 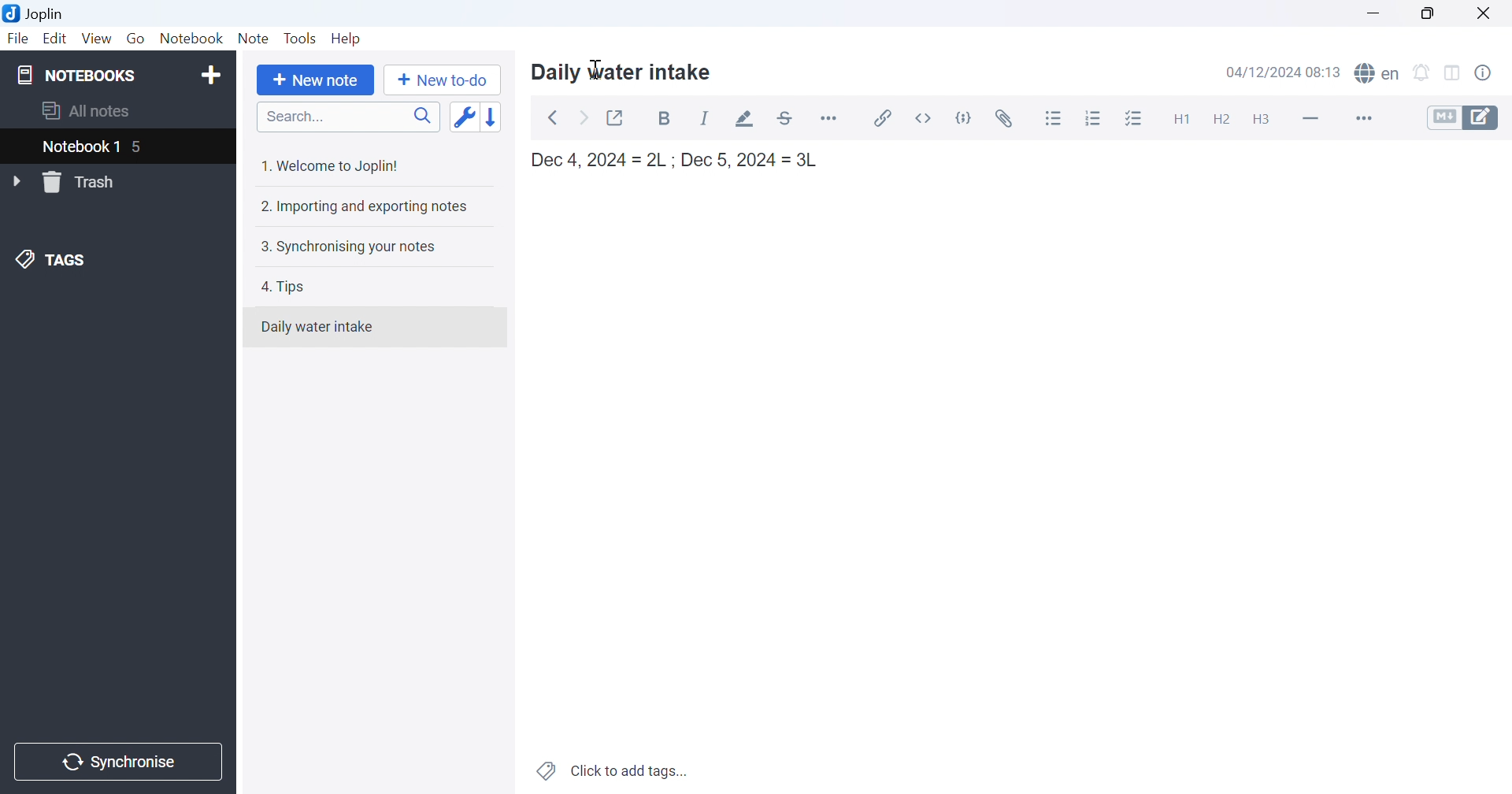 I want to click on View, so click(x=95, y=39).